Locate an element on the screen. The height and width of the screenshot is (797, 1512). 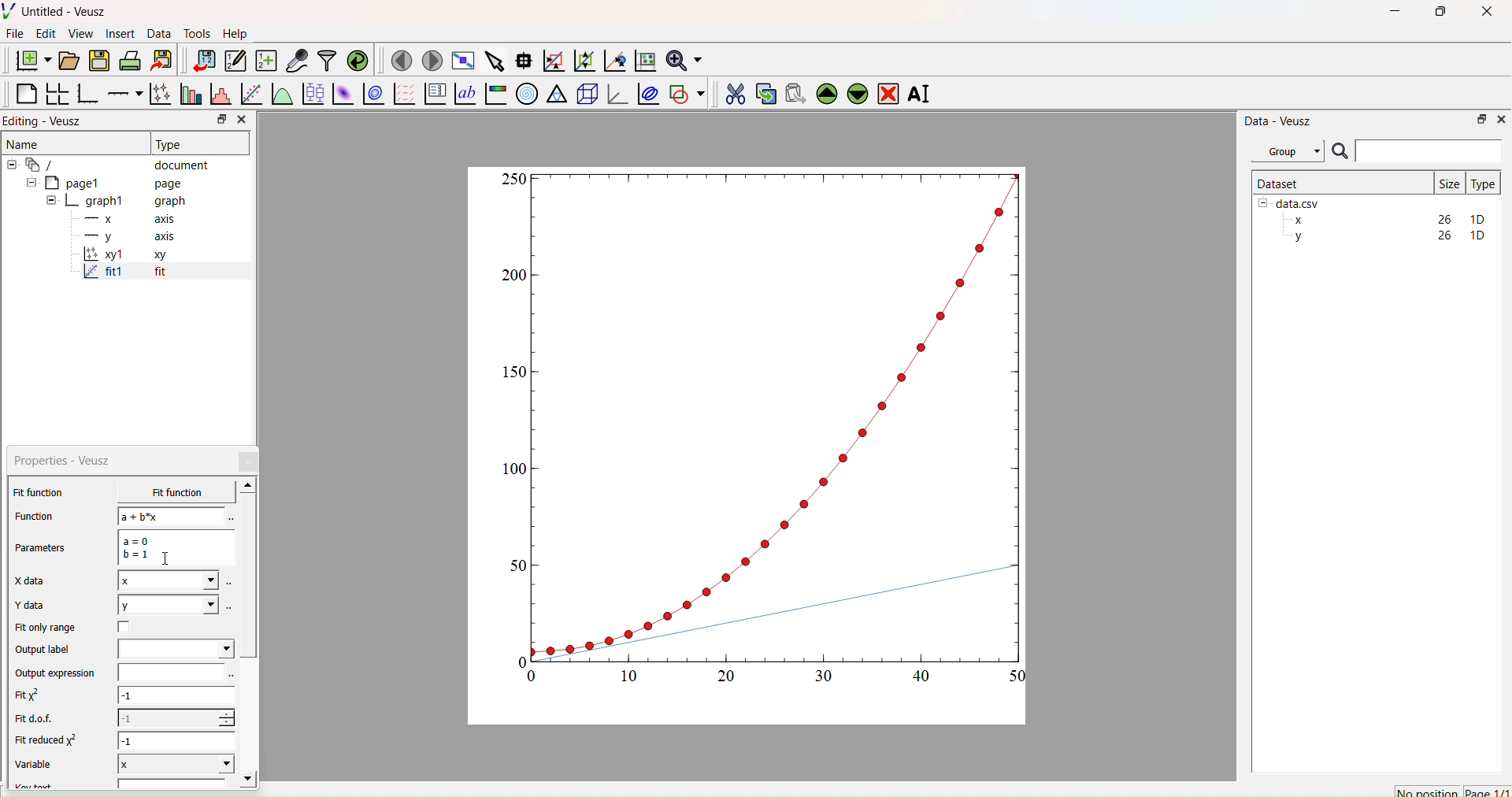
Arrange graphs in grid is located at coordinates (57, 95).